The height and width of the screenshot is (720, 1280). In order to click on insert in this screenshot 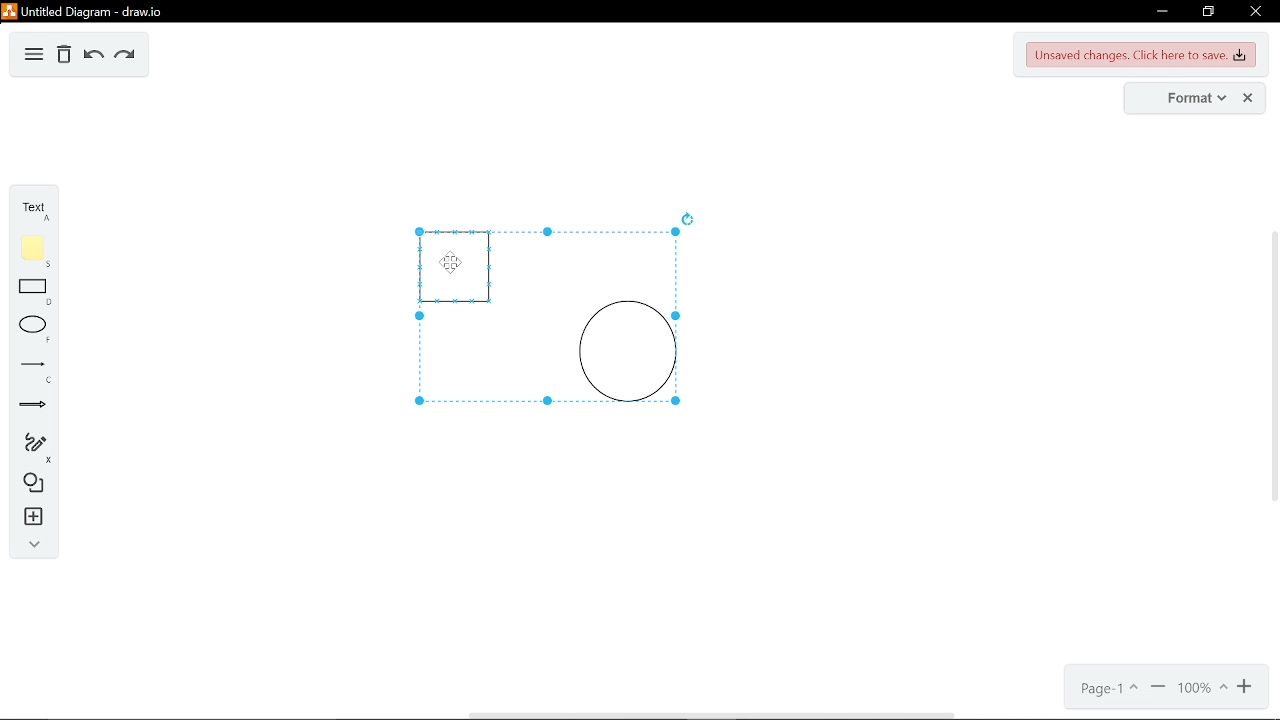, I will do `click(30, 517)`.